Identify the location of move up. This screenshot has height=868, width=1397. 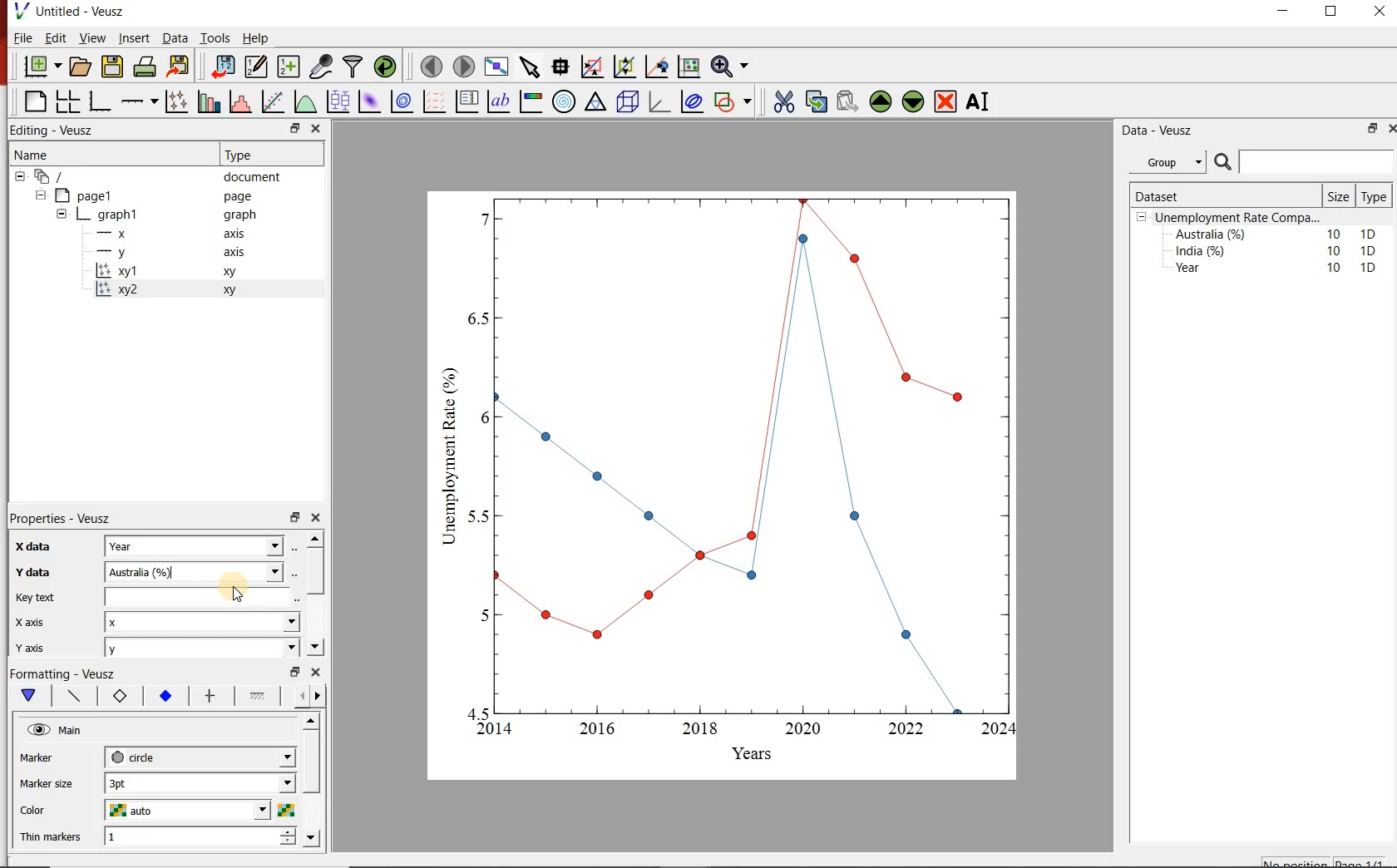
(313, 721).